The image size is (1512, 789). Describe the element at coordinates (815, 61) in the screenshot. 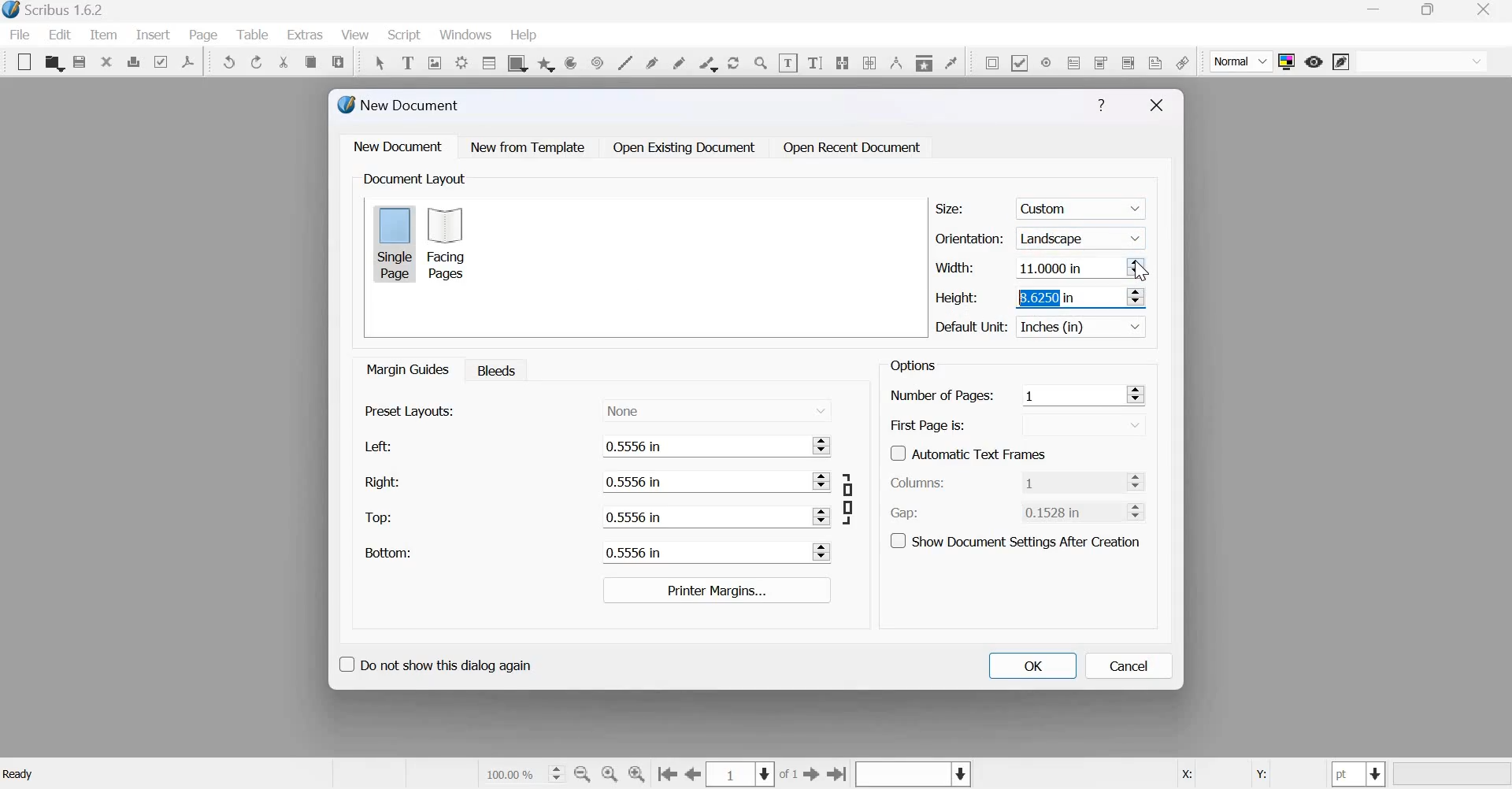

I see `Edit text with story editor` at that location.